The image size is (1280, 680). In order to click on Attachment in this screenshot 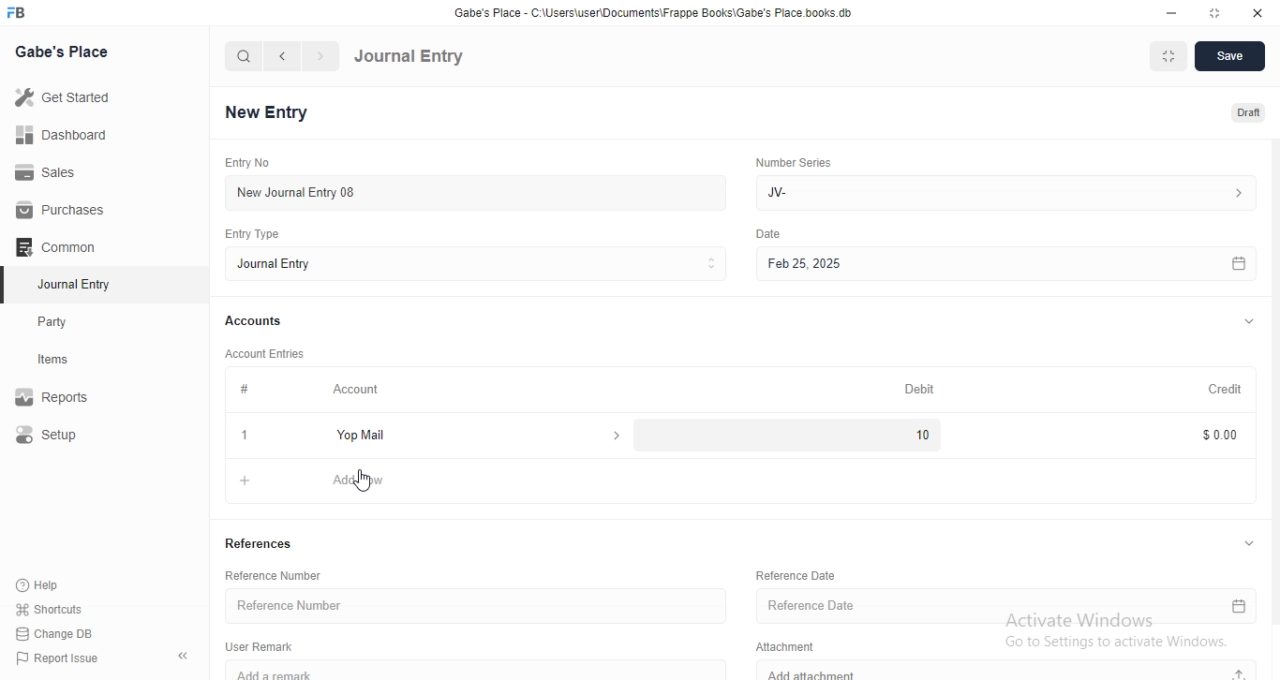, I will do `click(781, 647)`.